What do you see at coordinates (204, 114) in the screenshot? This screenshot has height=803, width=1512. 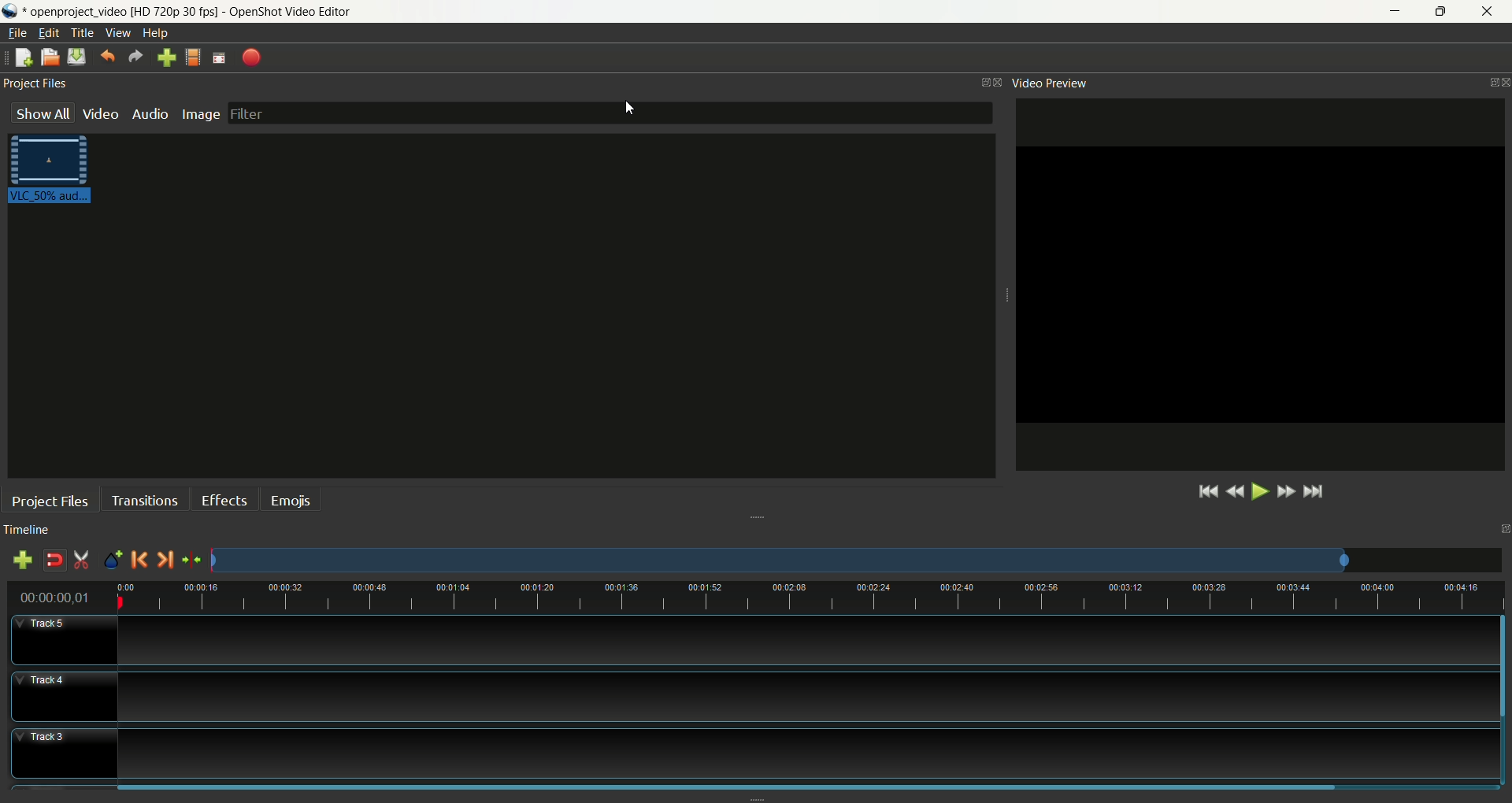 I see `image` at bounding box center [204, 114].